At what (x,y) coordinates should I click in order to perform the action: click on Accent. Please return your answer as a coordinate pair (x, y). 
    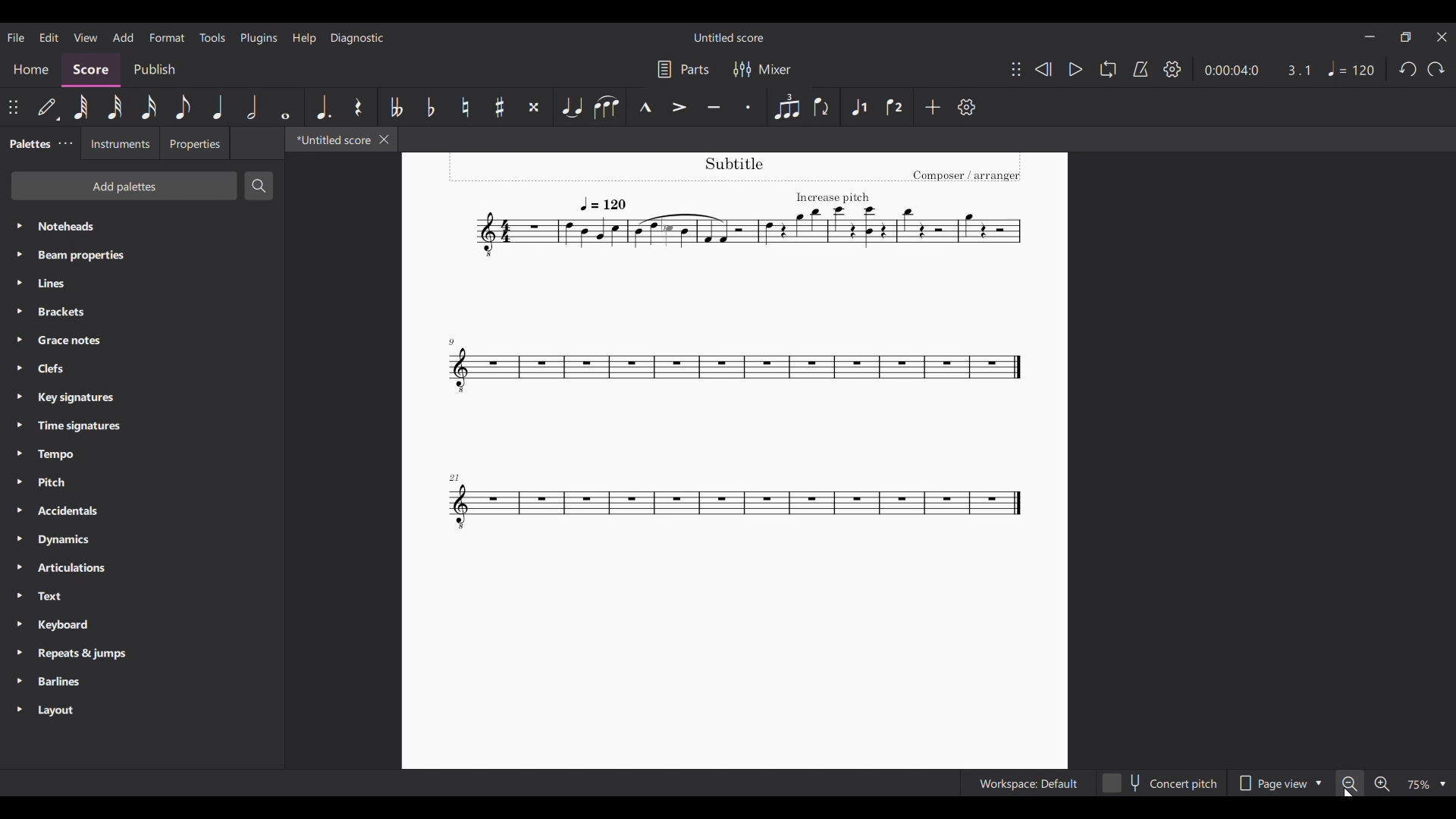
    Looking at the image, I should click on (679, 107).